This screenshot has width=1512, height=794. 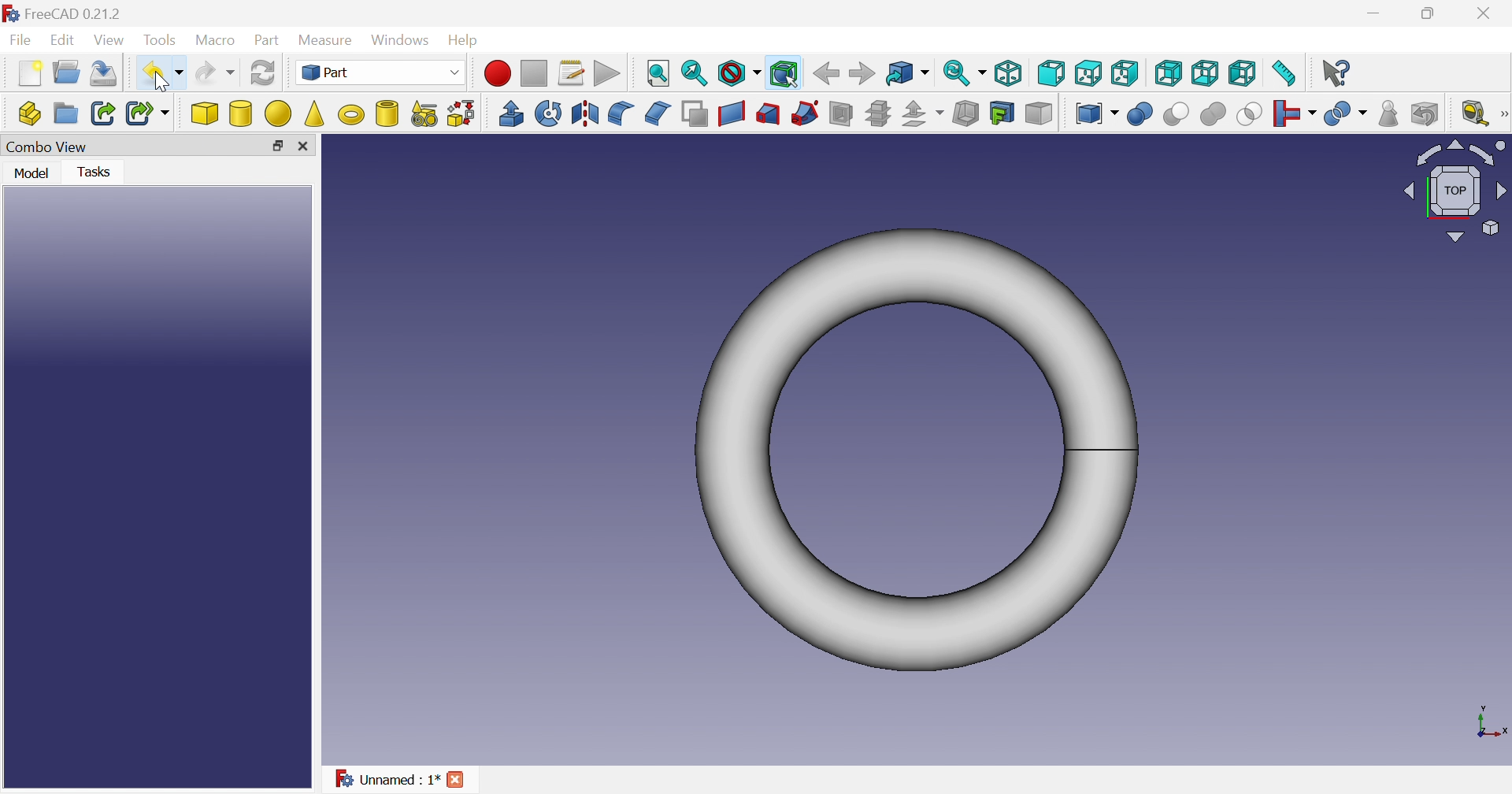 I want to click on Split objects..., so click(x=1345, y=114).